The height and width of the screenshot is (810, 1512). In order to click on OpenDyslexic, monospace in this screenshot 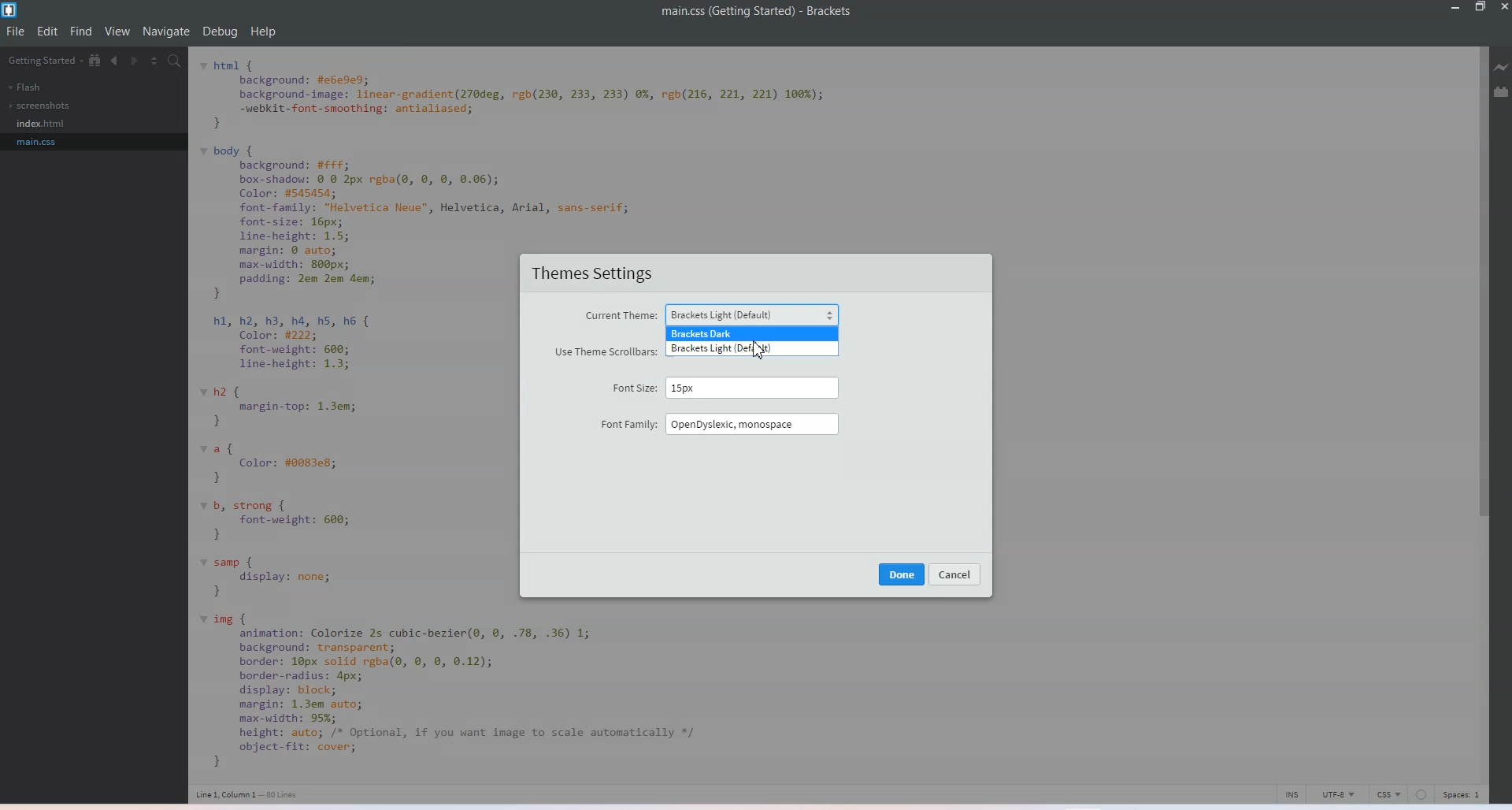, I will do `click(754, 424)`.